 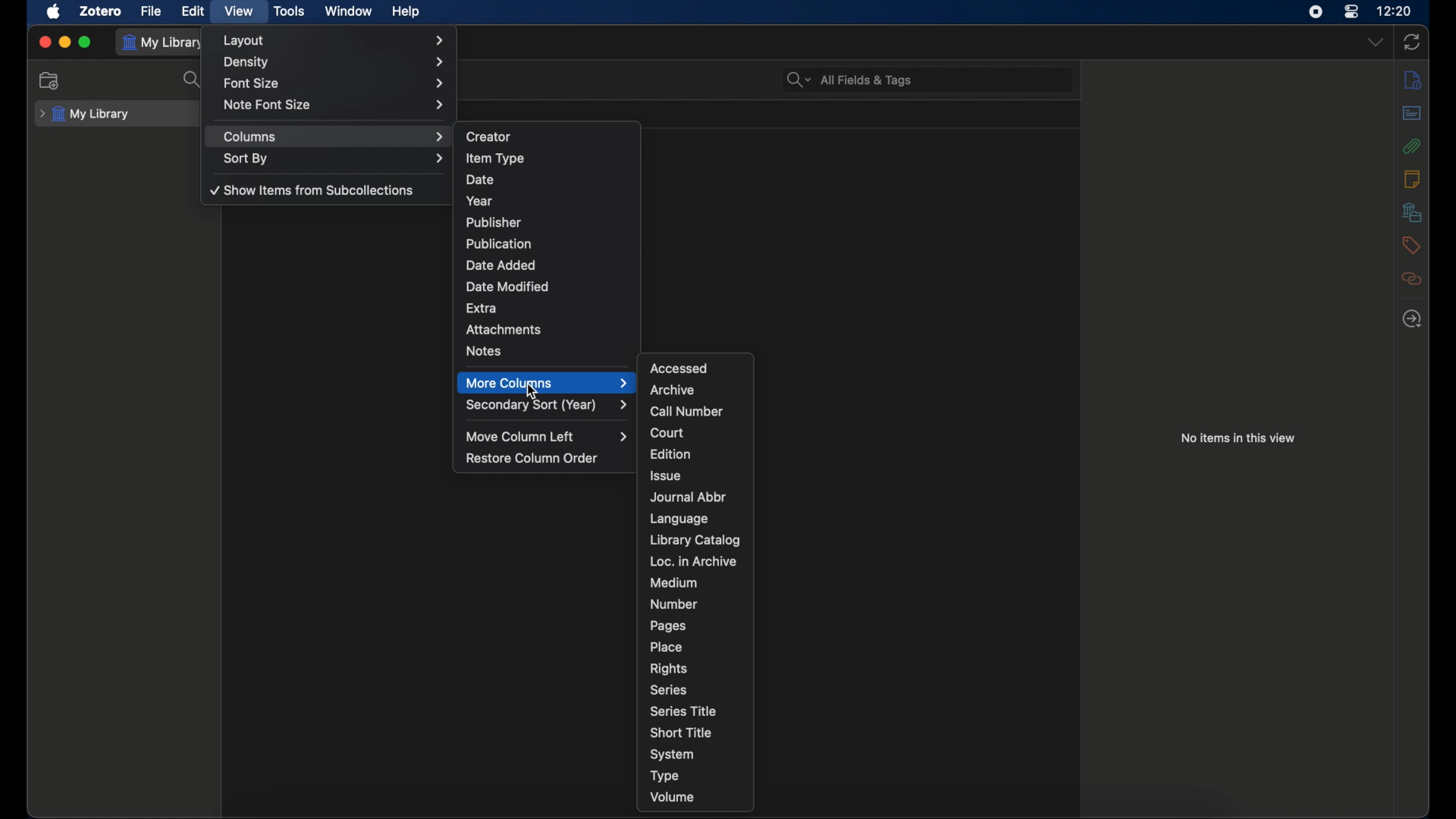 I want to click on maximize, so click(x=86, y=42).